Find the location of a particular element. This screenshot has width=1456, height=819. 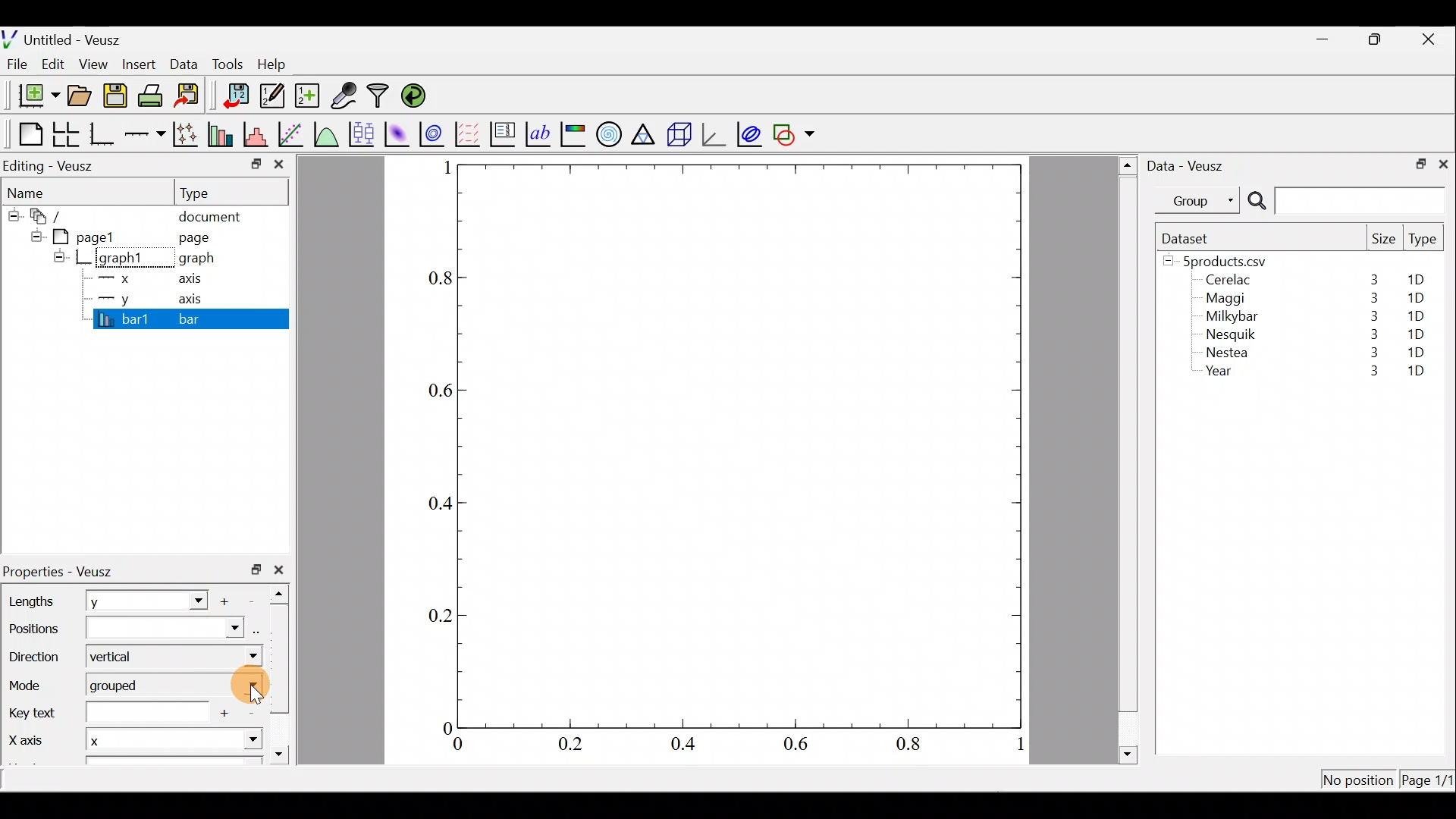

Plot box plots is located at coordinates (363, 133).